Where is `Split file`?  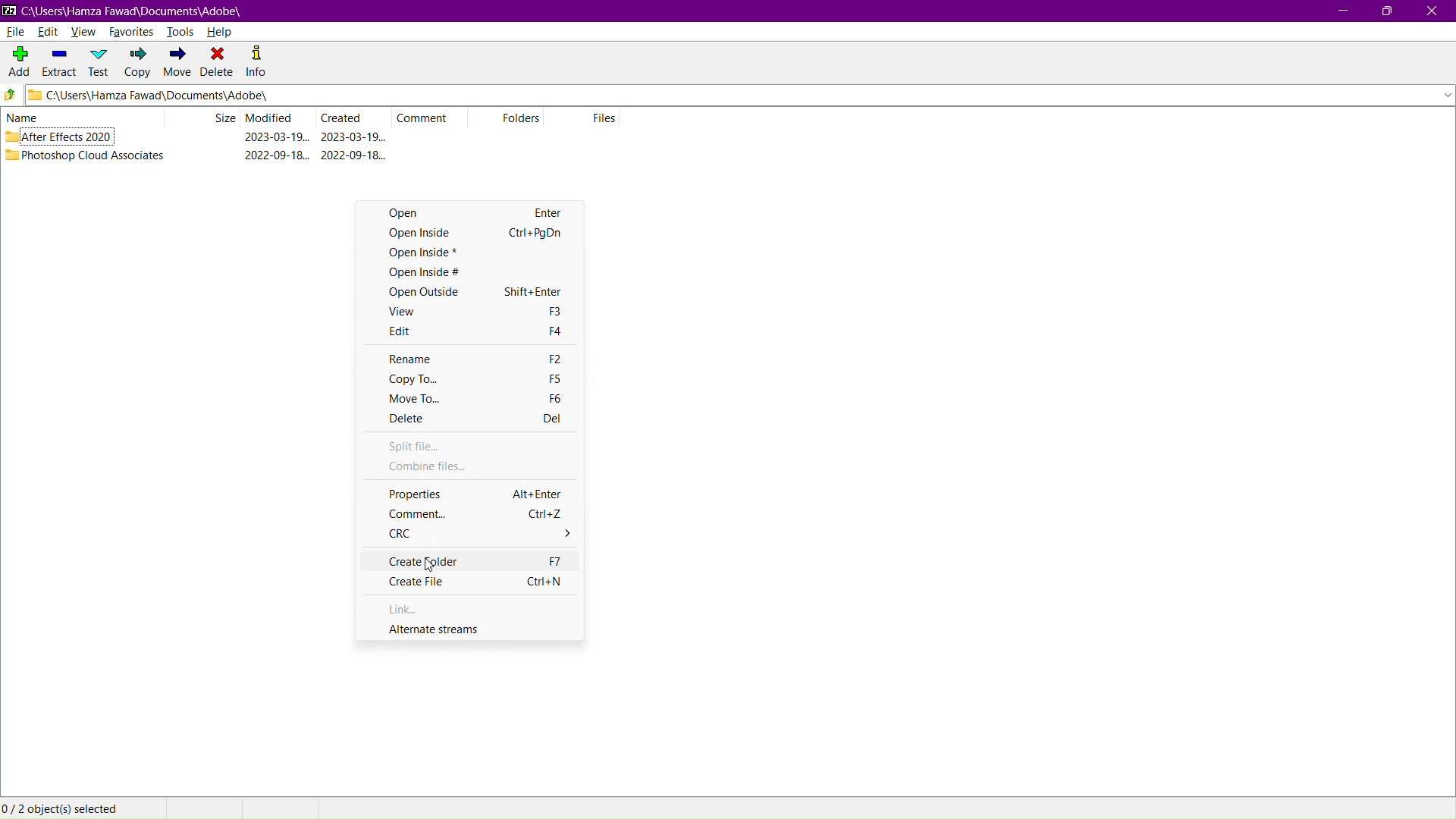
Split file is located at coordinates (468, 444).